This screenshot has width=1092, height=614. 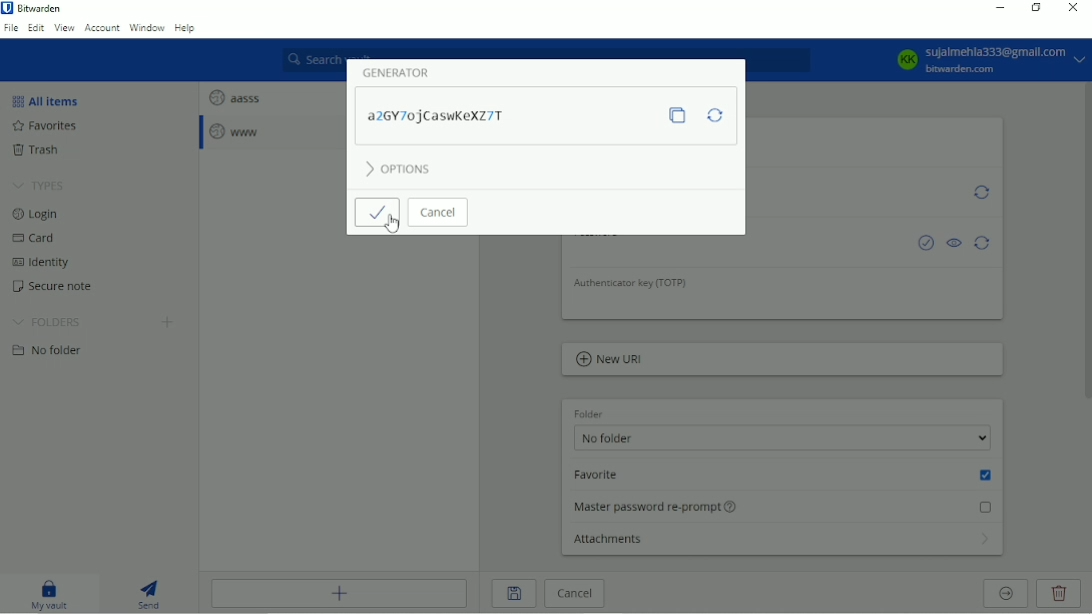 What do you see at coordinates (35, 152) in the screenshot?
I see `Trash` at bounding box center [35, 152].